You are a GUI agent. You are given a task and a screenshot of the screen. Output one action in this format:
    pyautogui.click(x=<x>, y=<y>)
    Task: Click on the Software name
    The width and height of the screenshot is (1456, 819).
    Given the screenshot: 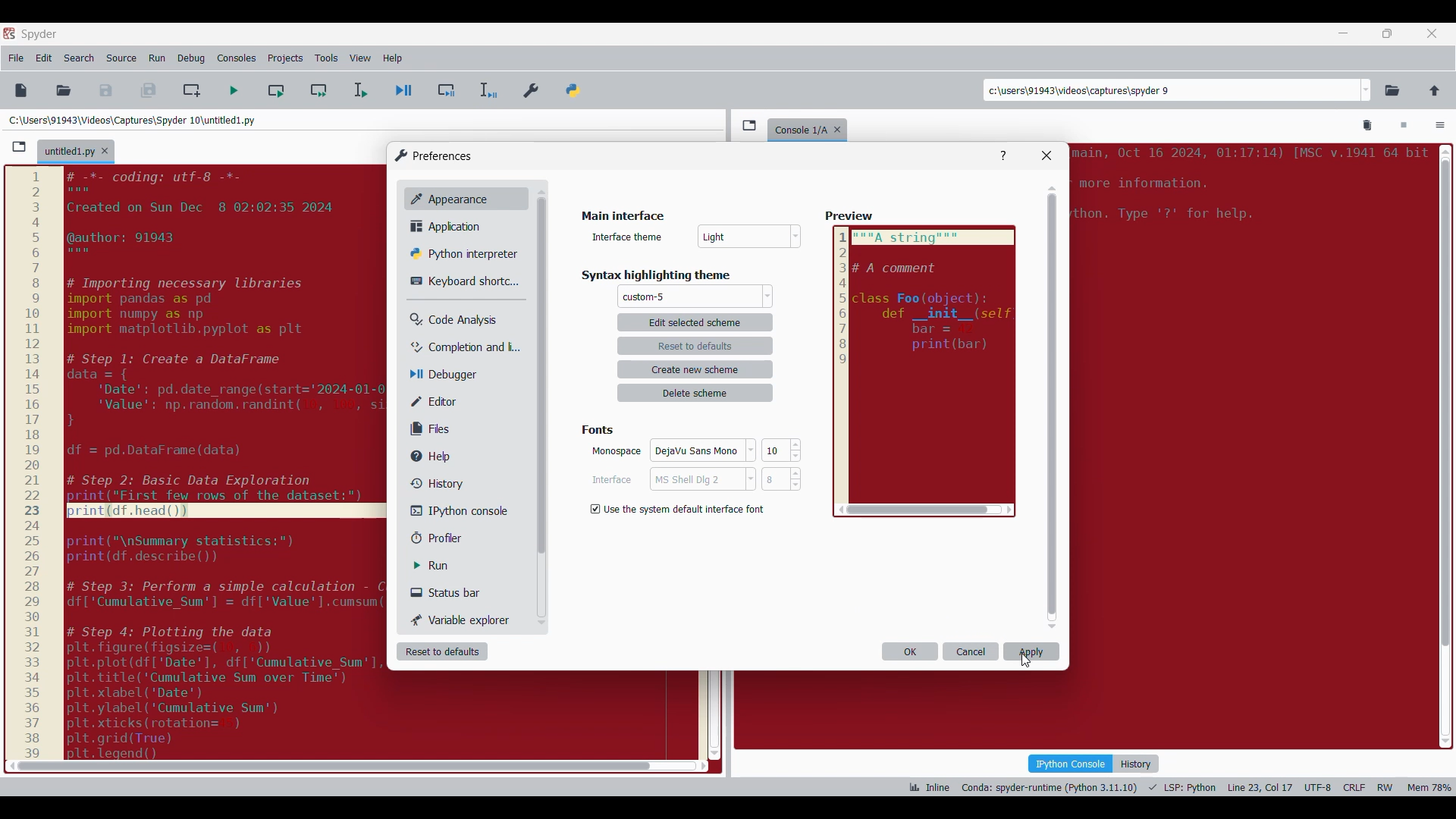 What is the action you would take?
    pyautogui.click(x=39, y=34)
    